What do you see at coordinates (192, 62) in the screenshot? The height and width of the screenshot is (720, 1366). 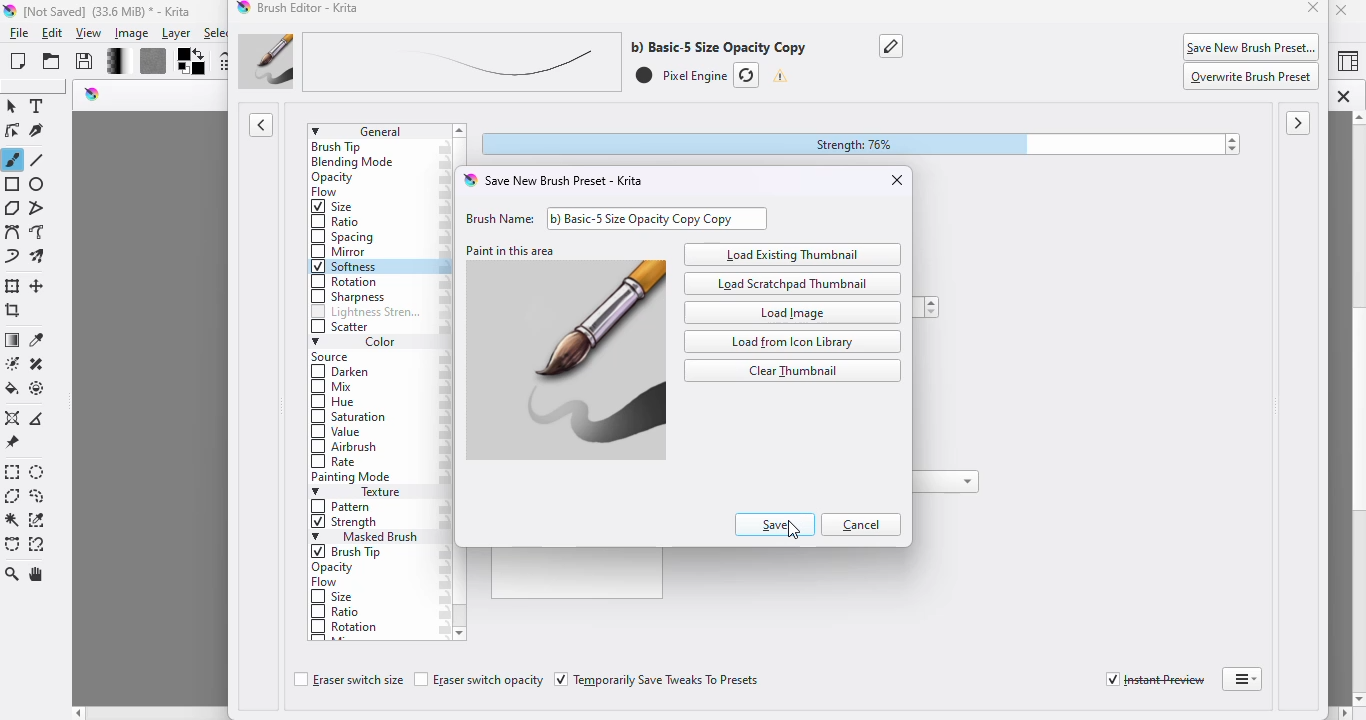 I see `foreground/background color settings` at bounding box center [192, 62].